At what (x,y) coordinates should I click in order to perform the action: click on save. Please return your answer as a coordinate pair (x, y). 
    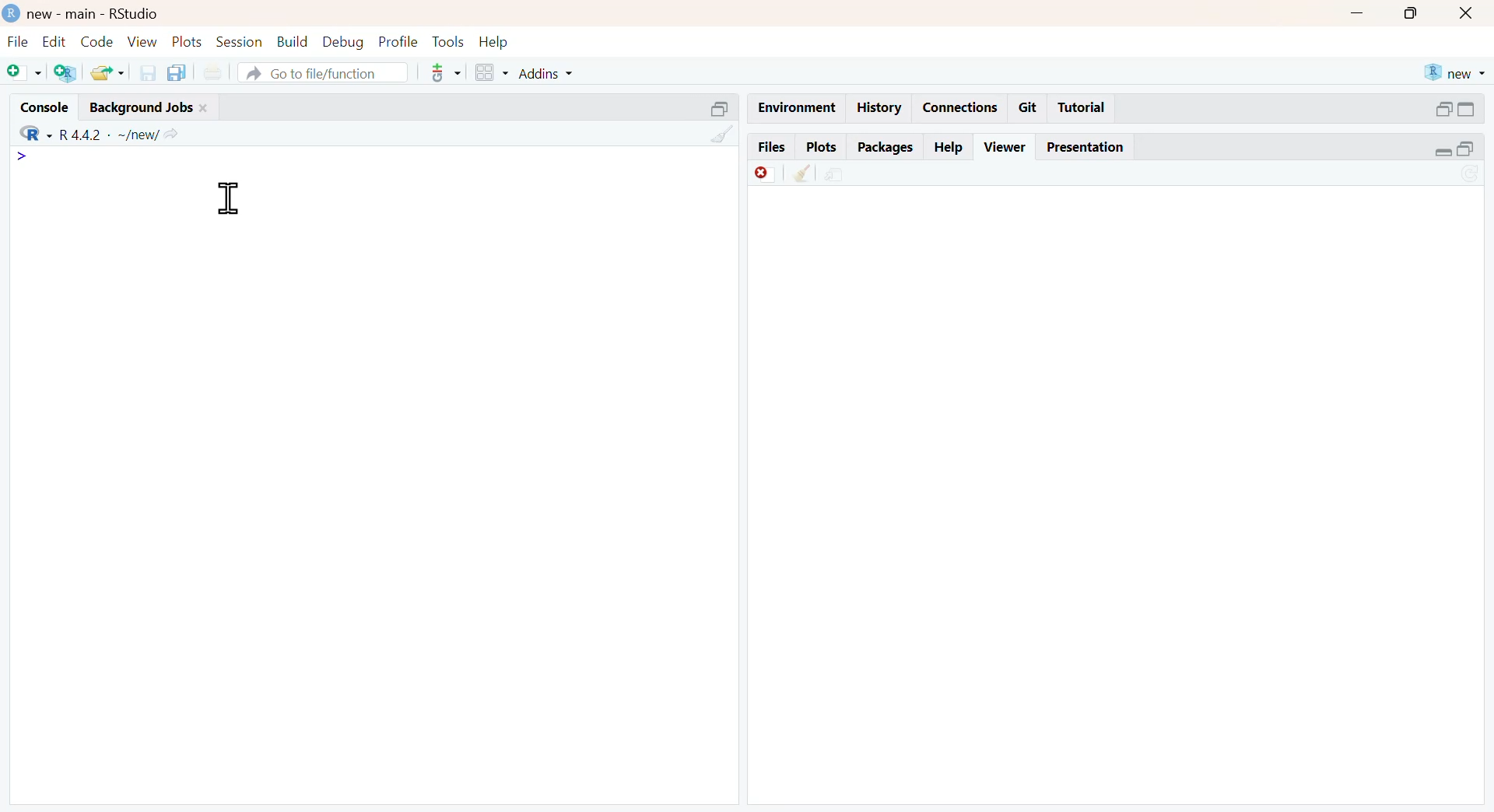
    Looking at the image, I should click on (149, 72).